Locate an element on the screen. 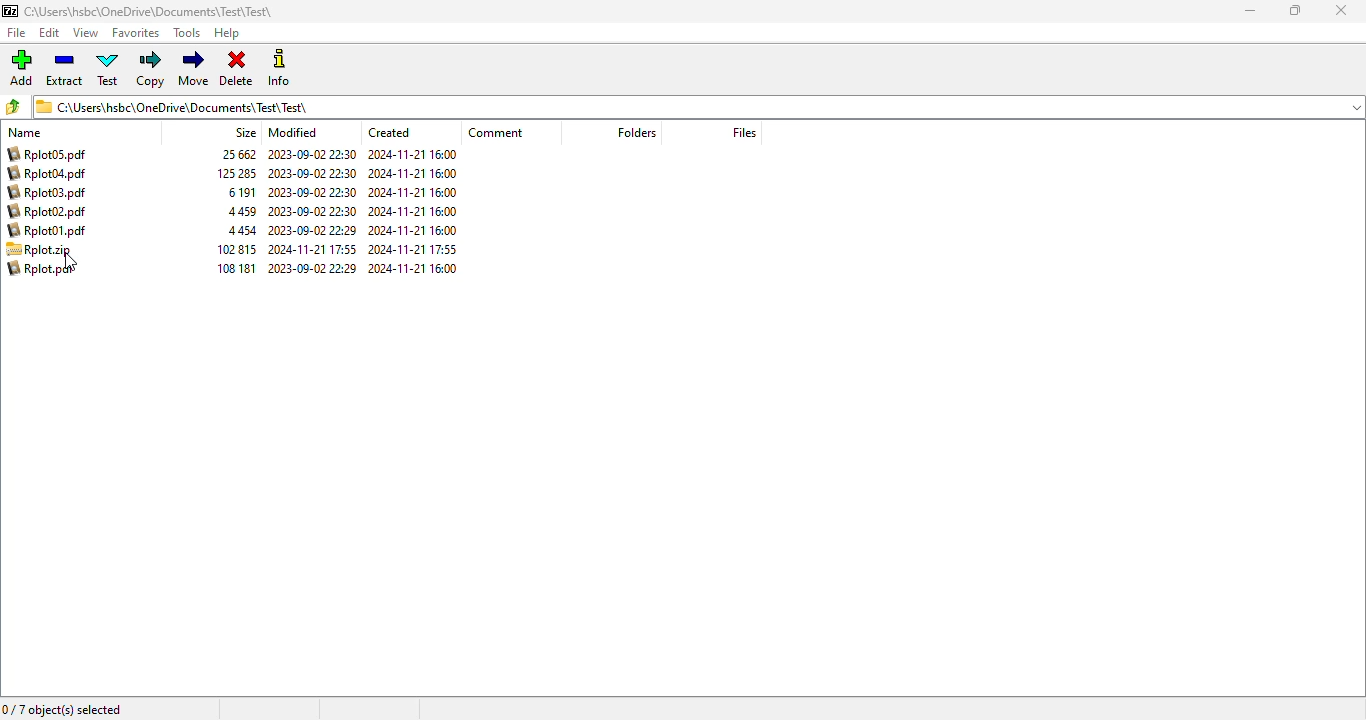  comment is located at coordinates (496, 132).